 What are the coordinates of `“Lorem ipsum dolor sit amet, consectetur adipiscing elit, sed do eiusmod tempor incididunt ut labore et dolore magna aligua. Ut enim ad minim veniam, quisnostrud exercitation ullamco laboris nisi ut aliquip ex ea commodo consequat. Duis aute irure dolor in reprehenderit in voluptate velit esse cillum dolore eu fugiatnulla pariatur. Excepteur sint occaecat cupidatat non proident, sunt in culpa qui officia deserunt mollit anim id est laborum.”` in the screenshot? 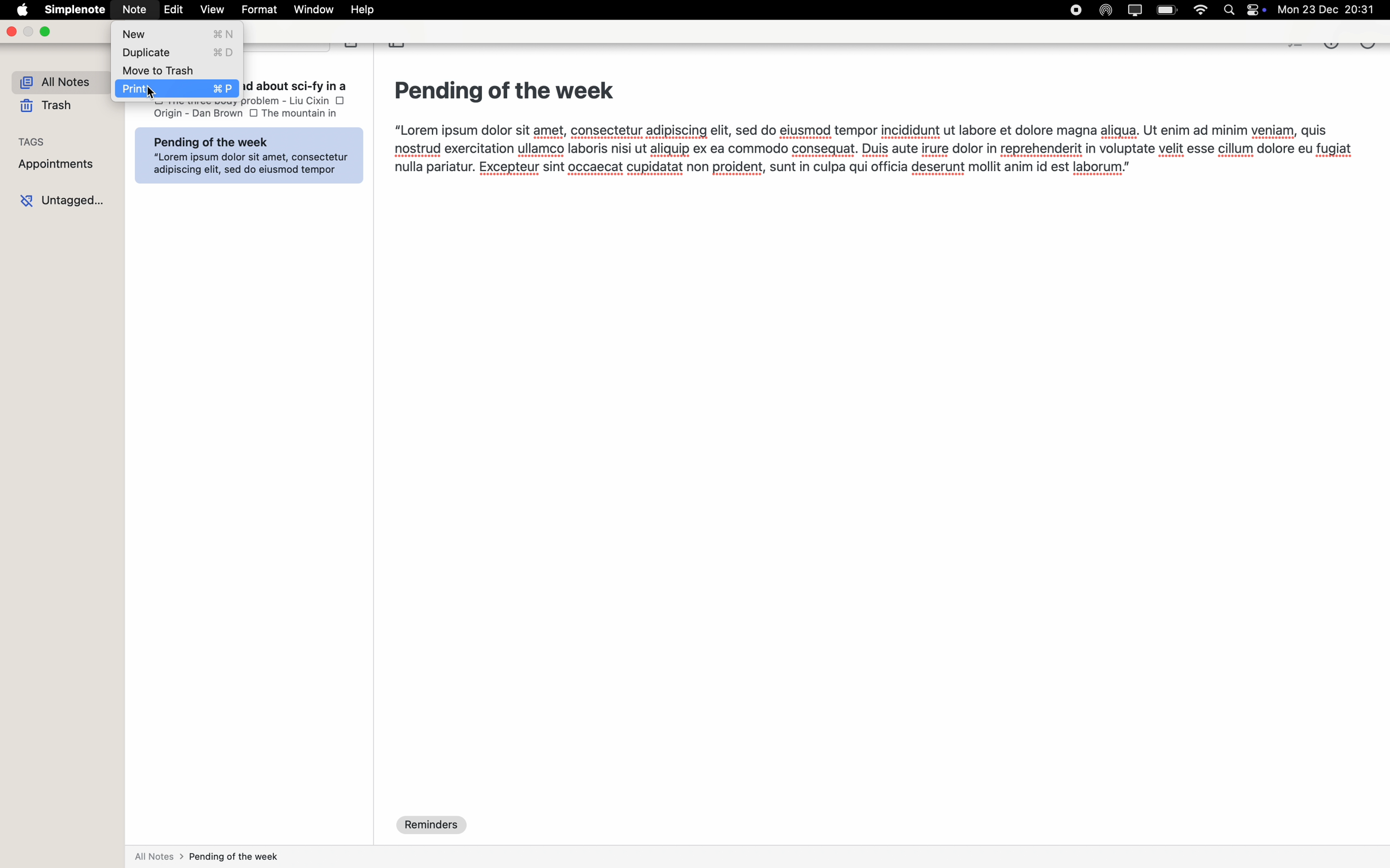 It's located at (877, 153).